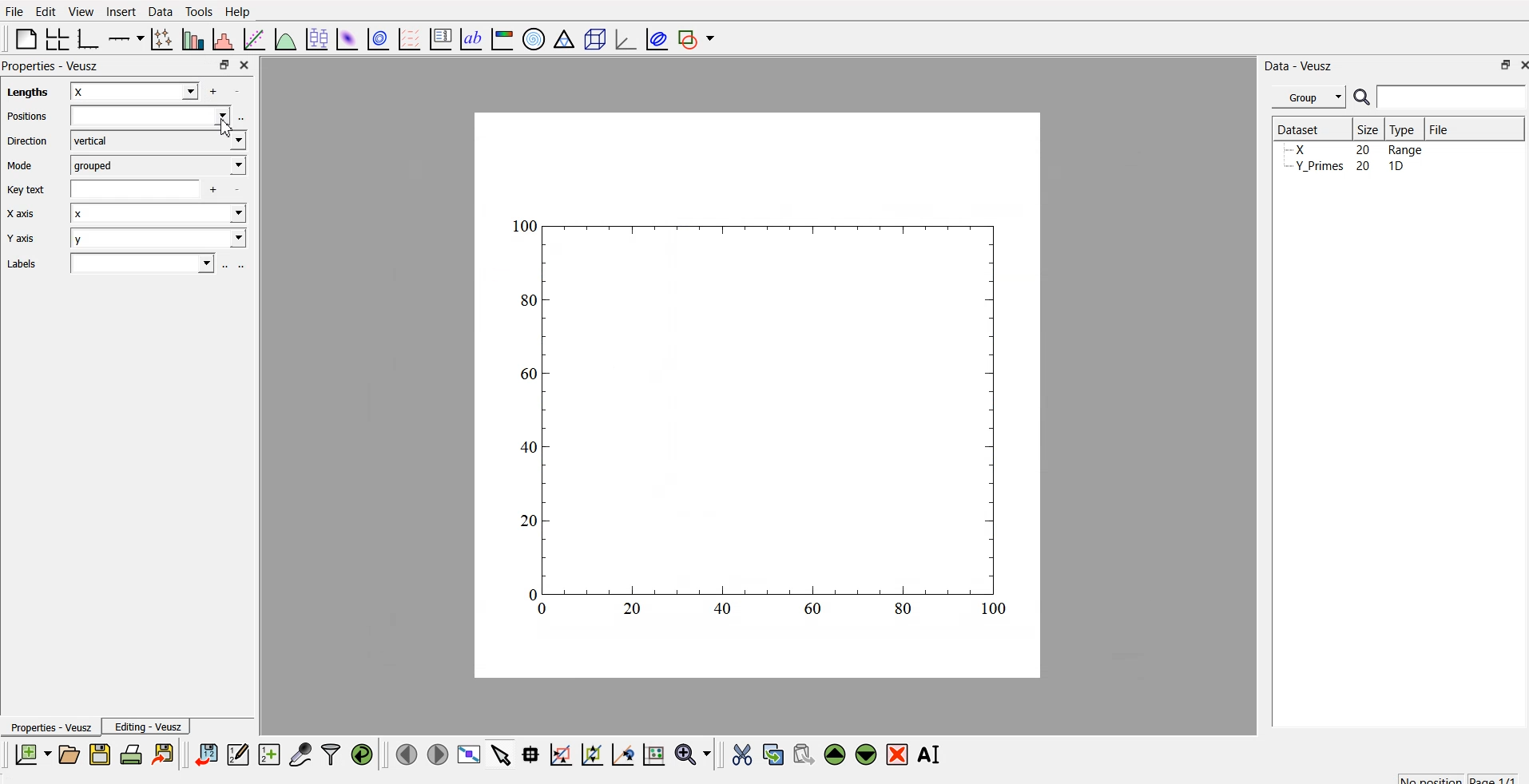 The height and width of the screenshot is (784, 1529). I want to click on search bar, so click(1452, 97).